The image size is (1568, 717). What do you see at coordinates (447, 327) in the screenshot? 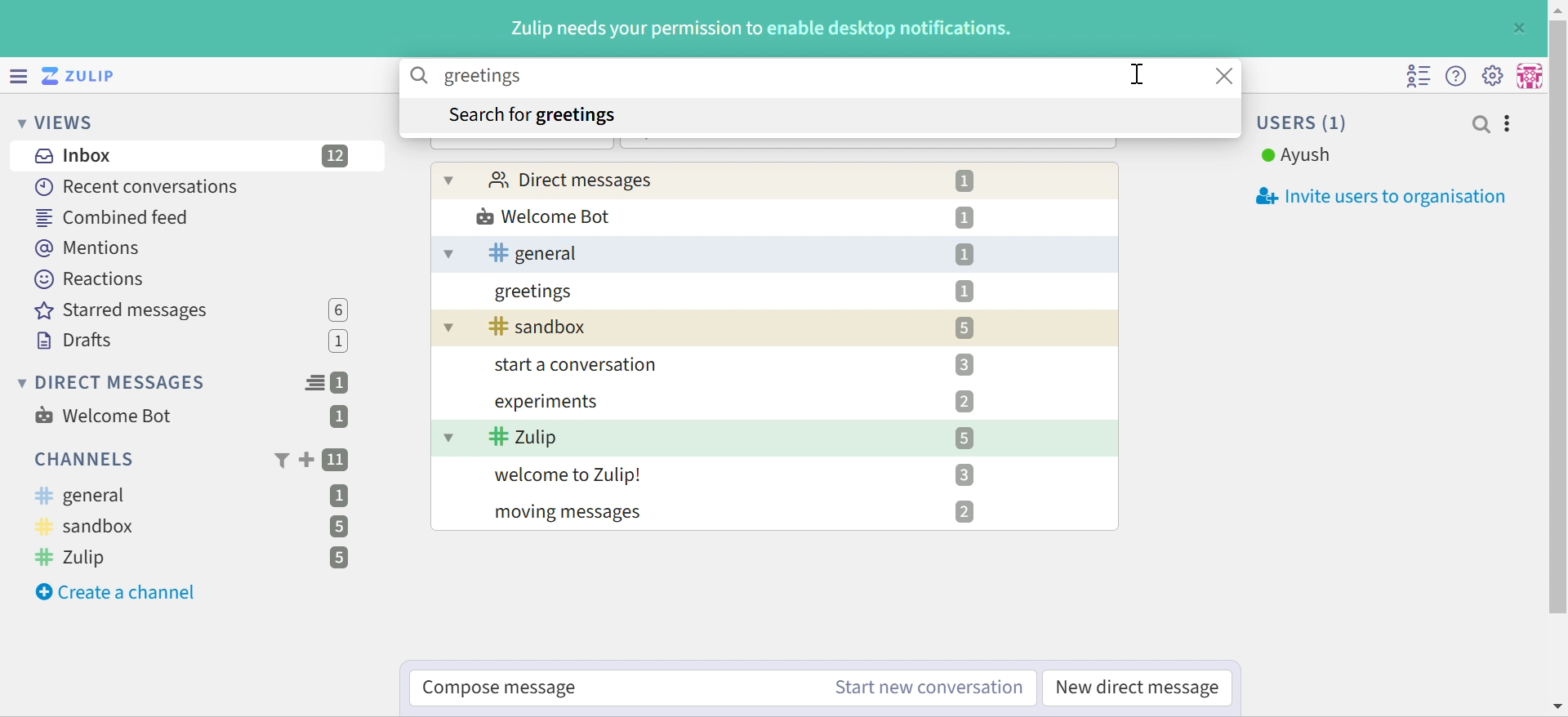
I see `drop down` at bounding box center [447, 327].